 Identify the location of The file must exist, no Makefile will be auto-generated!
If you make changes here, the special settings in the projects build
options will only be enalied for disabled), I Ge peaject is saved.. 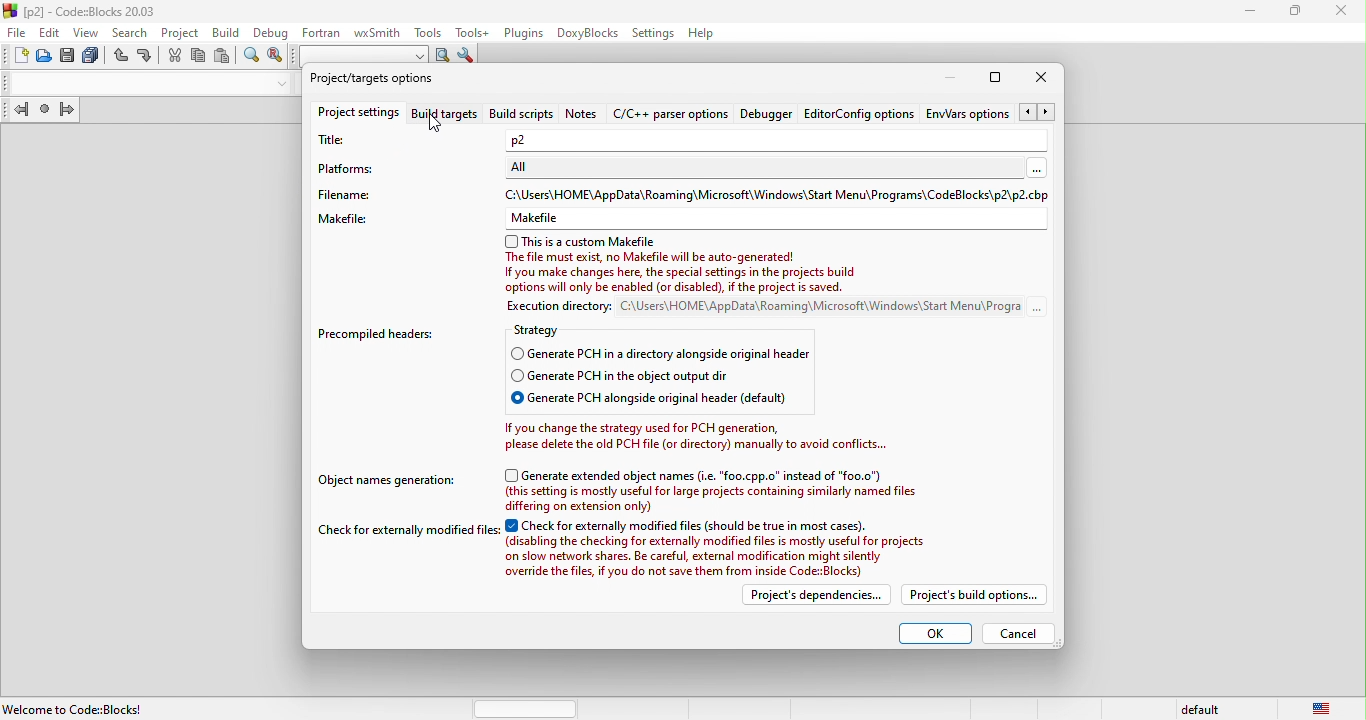
(684, 273).